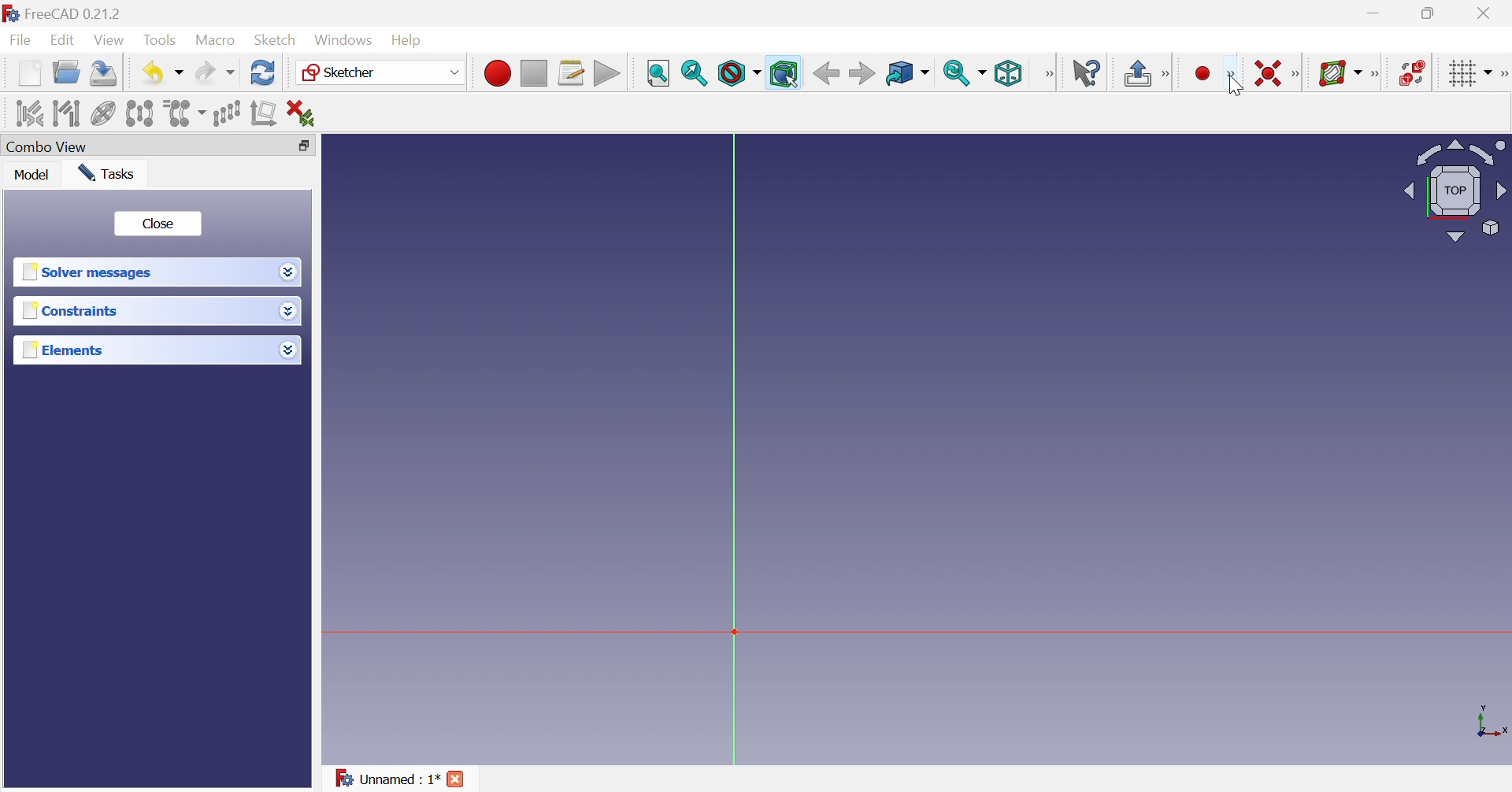 This screenshot has height=792, width=1512. Describe the element at coordinates (1296, 72) in the screenshot. I see `Sketcher constraints` at that location.